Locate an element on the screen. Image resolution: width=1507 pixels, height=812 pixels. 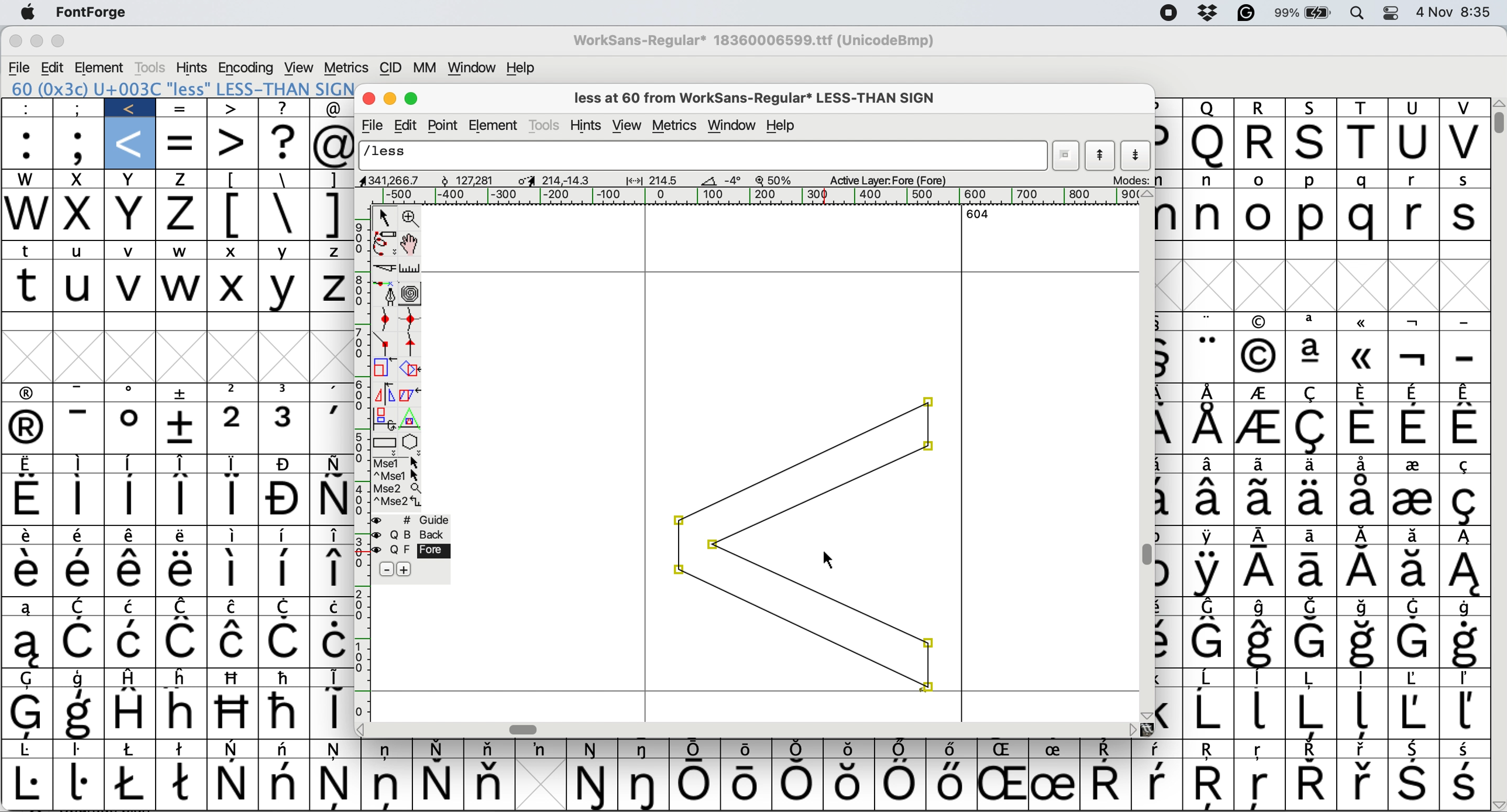
Symbol is located at coordinates (1412, 572).